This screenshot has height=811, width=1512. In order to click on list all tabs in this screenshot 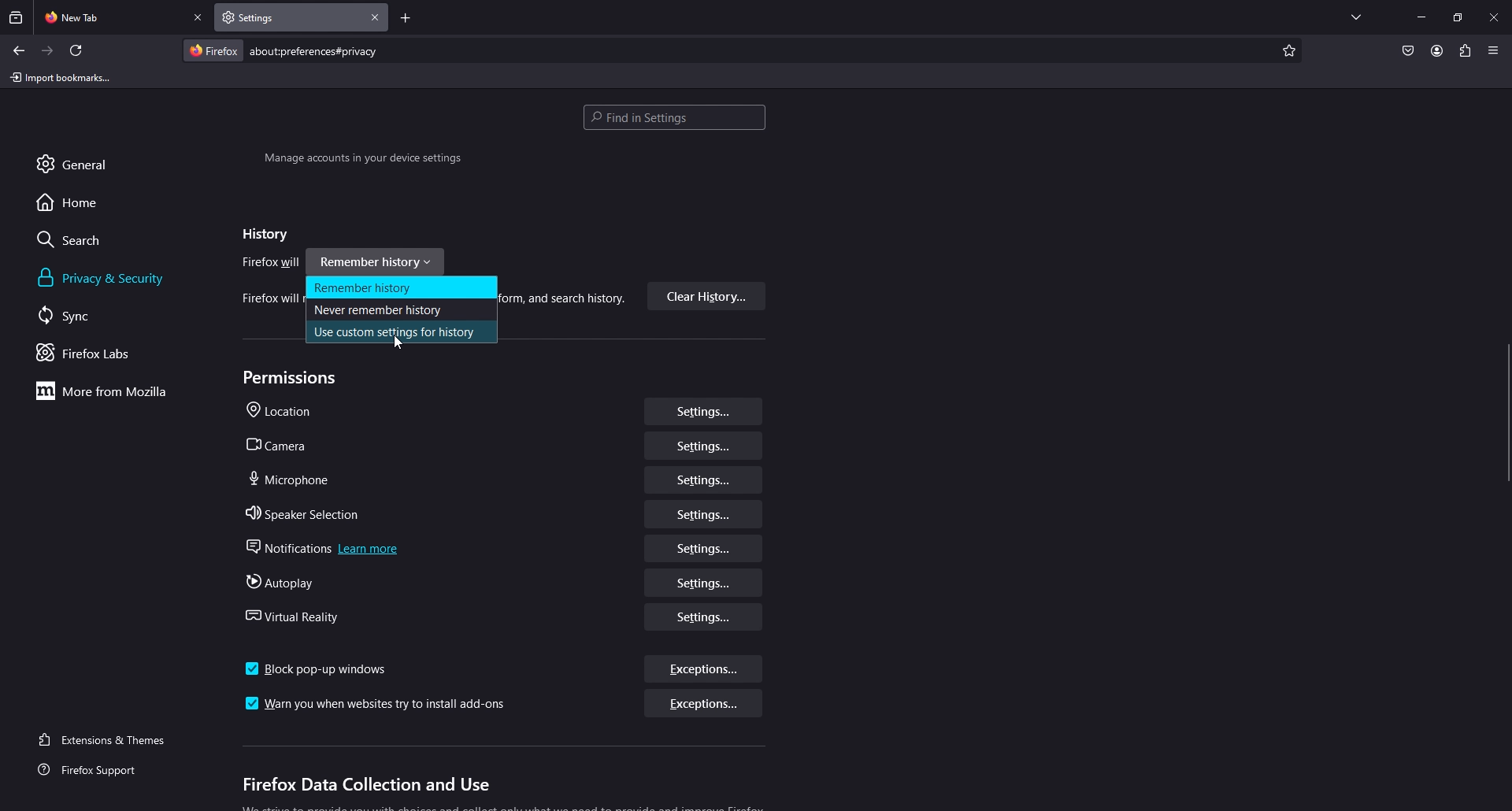, I will do `click(1356, 14)`.